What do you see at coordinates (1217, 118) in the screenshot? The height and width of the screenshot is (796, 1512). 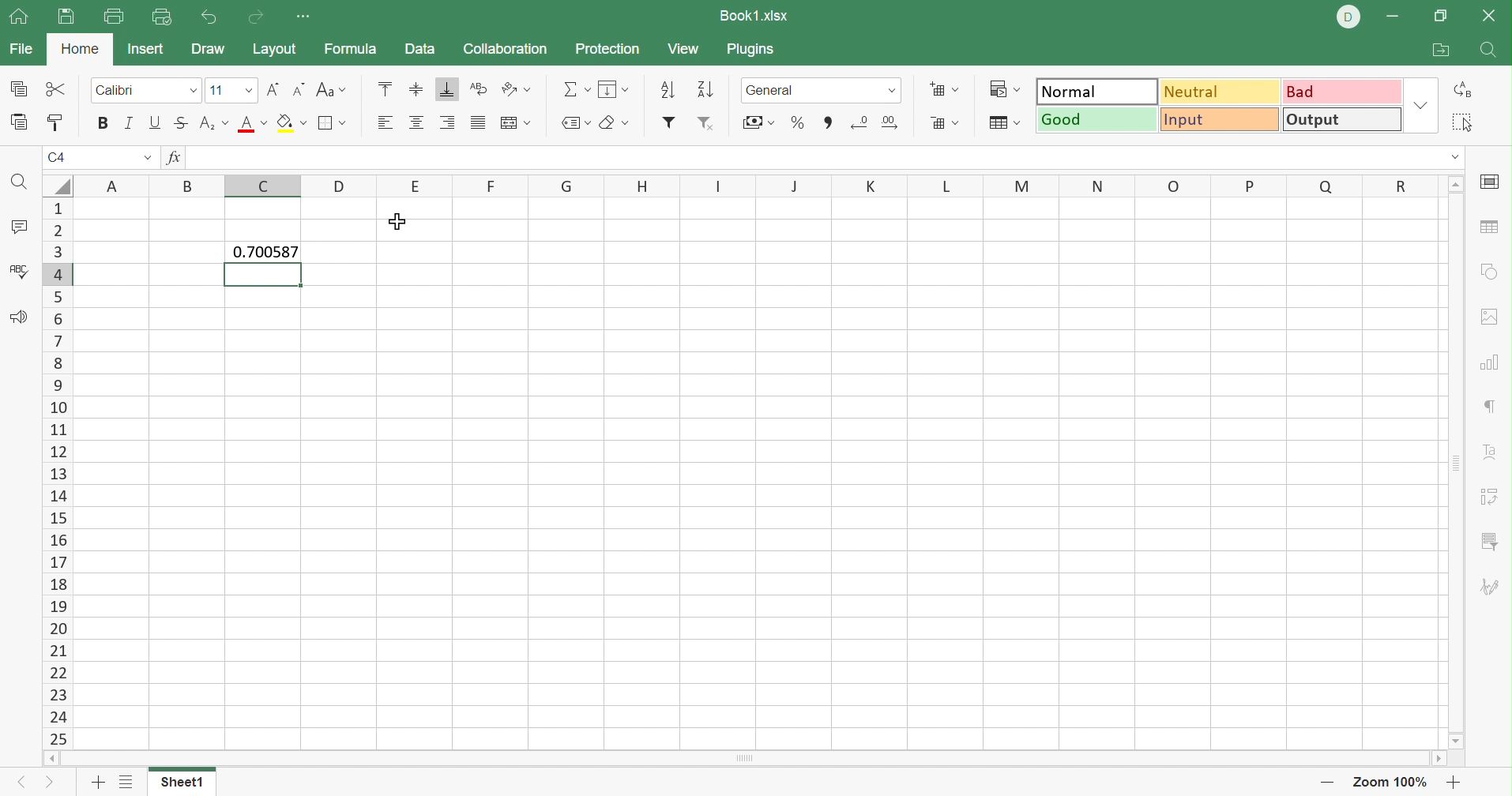 I see `Input` at bounding box center [1217, 118].